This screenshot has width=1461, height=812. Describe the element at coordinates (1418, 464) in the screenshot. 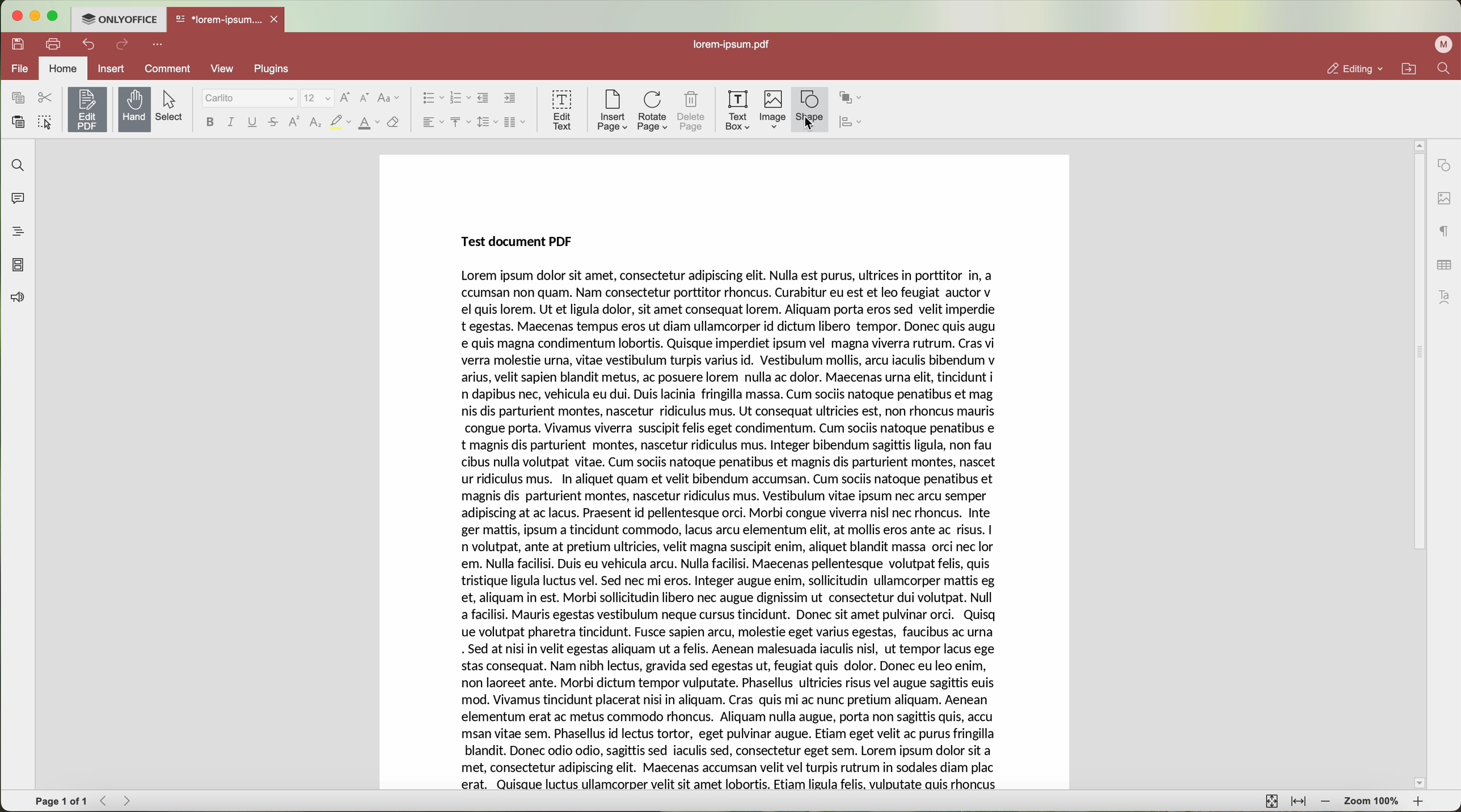

I see `scrollbar` at that location.